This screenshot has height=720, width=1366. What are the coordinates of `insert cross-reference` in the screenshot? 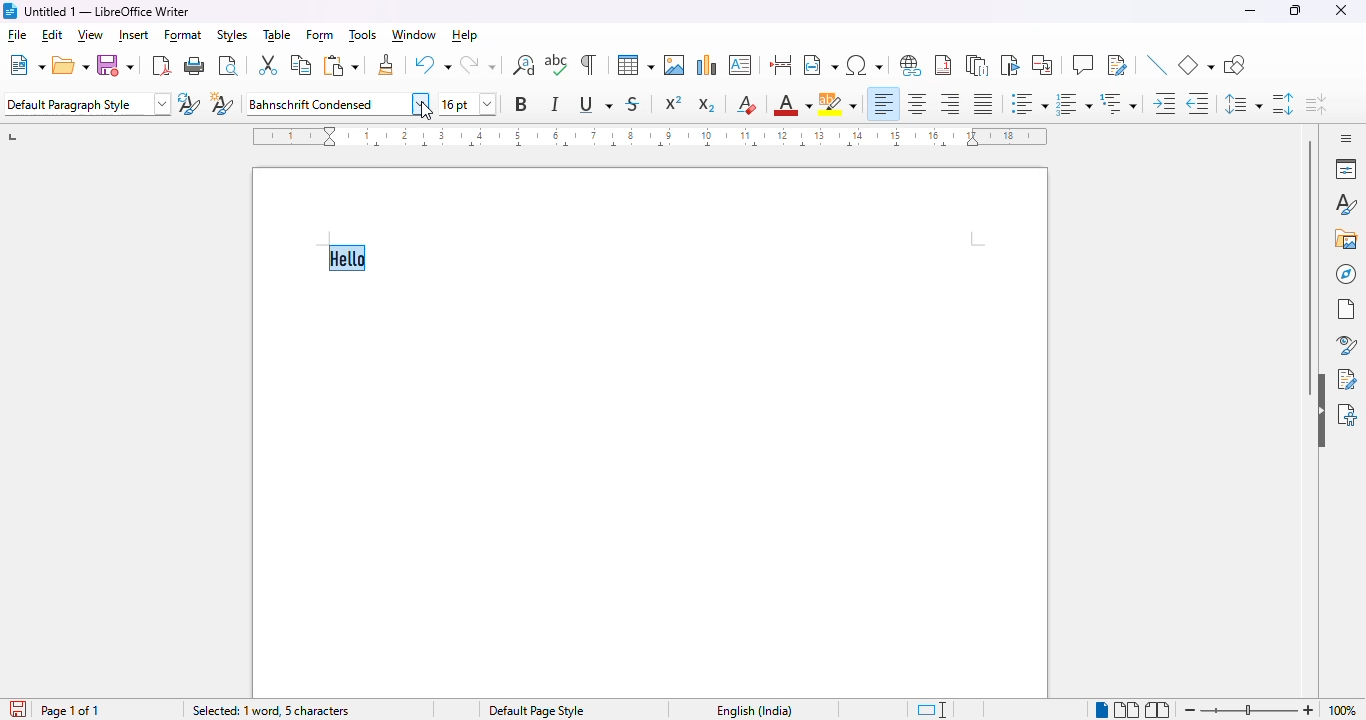 It's located at (1042, 64).